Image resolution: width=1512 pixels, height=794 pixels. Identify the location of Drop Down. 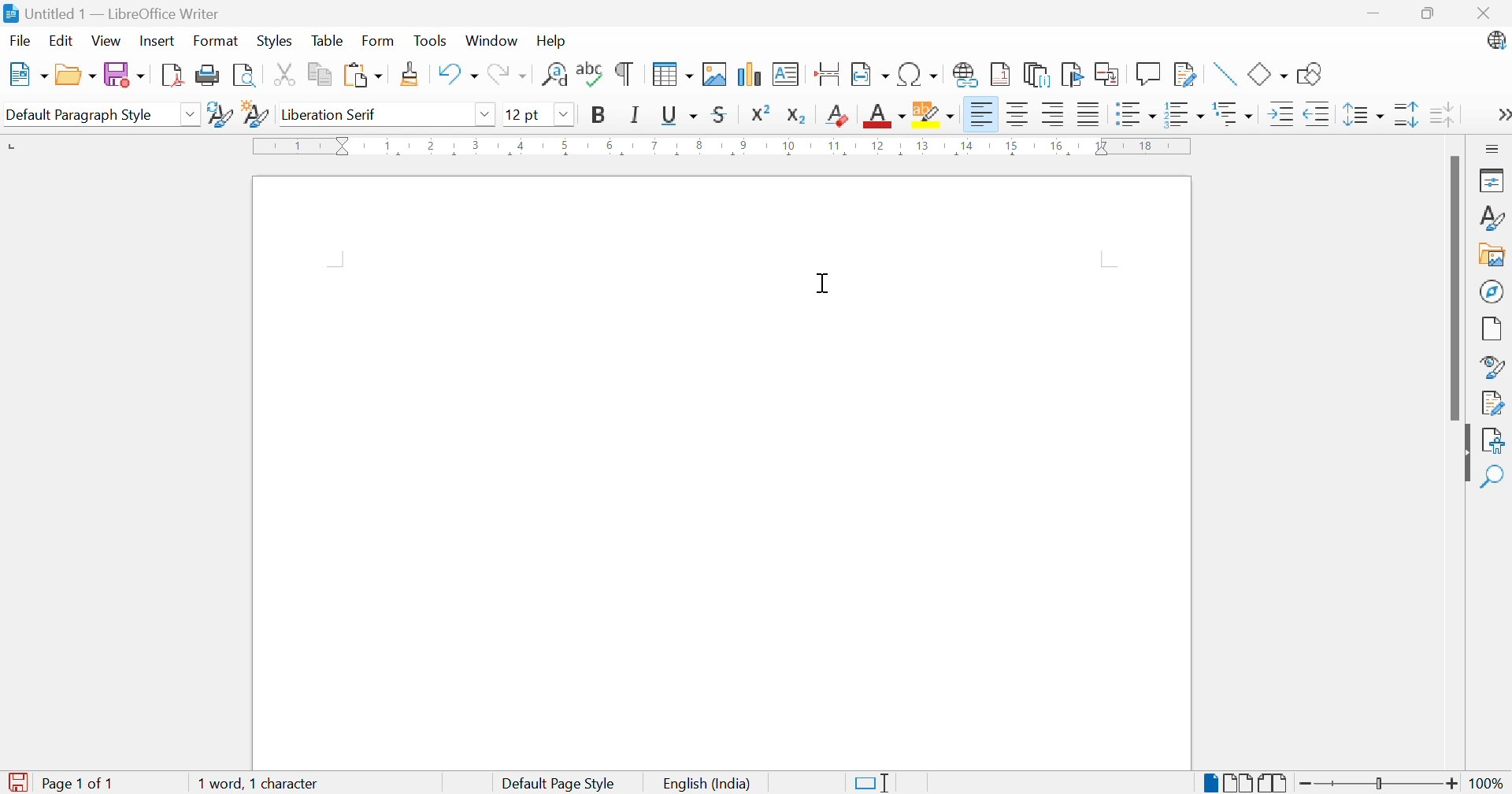
(192, 116).